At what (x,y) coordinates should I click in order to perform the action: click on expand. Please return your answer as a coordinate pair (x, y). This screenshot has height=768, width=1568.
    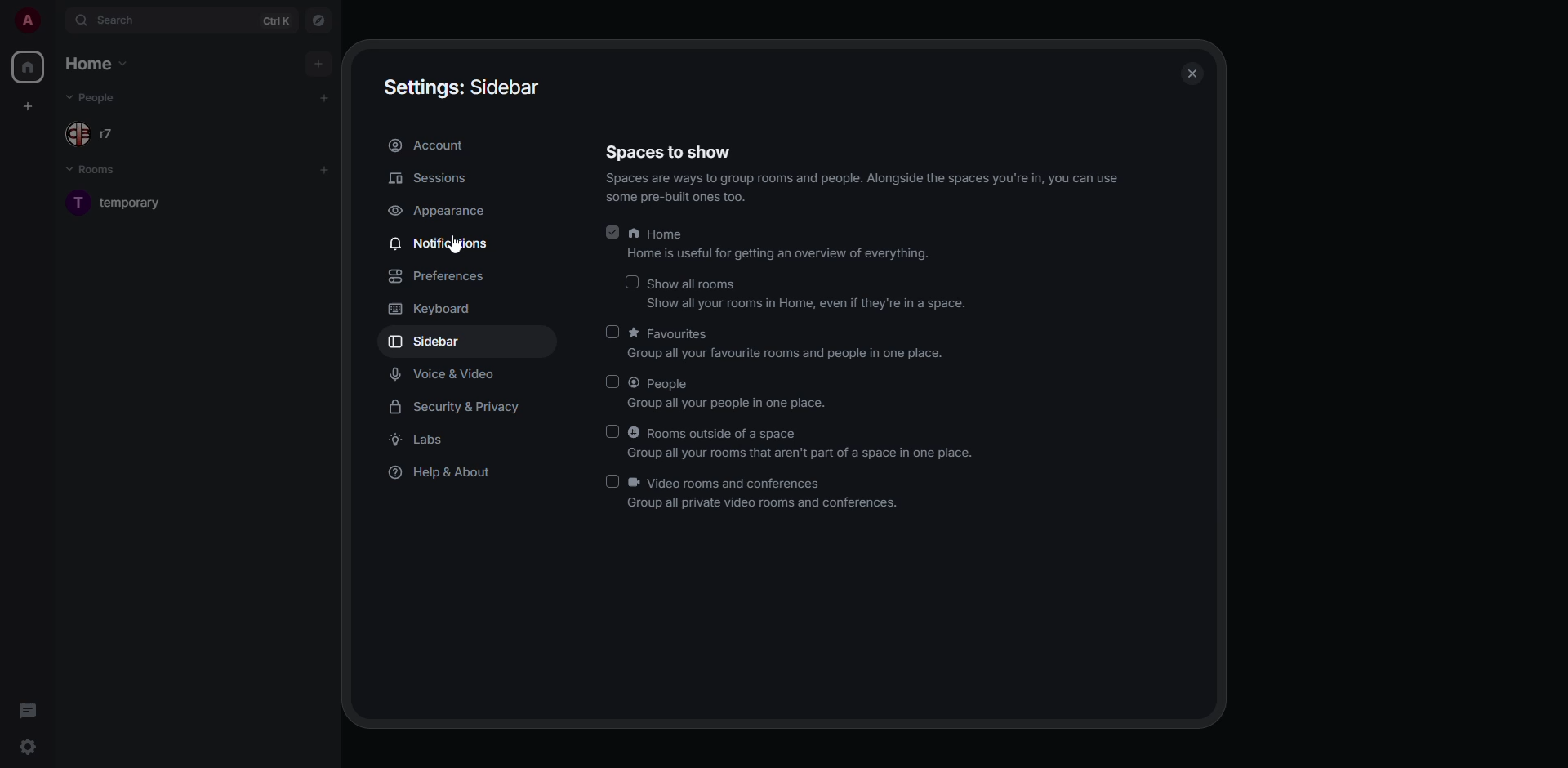
    Looking at the image, I should click on (56, 21).